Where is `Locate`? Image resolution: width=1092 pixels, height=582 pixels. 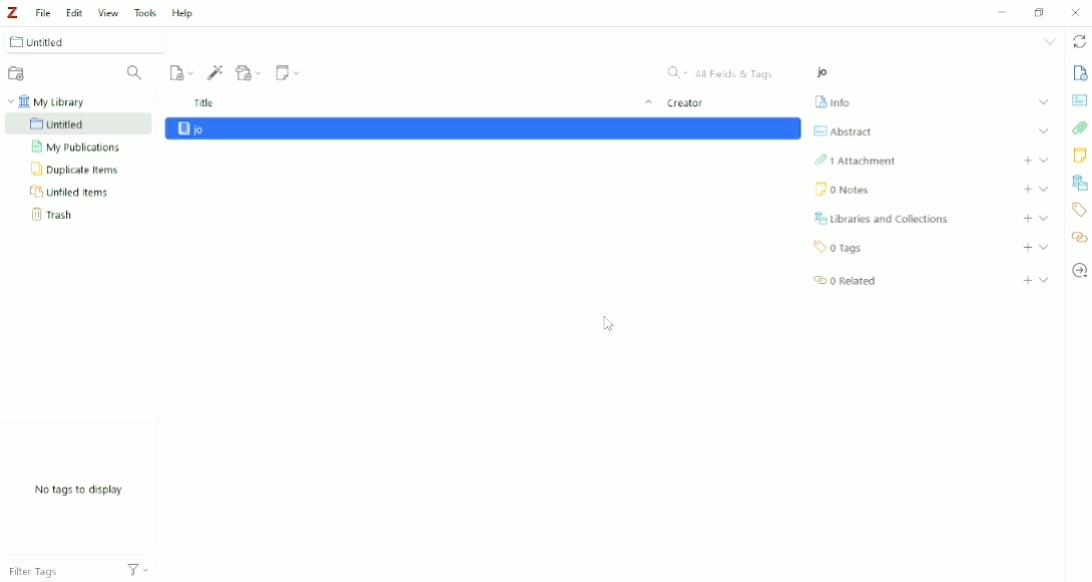 Locate is located at coordinates (1079, 272).